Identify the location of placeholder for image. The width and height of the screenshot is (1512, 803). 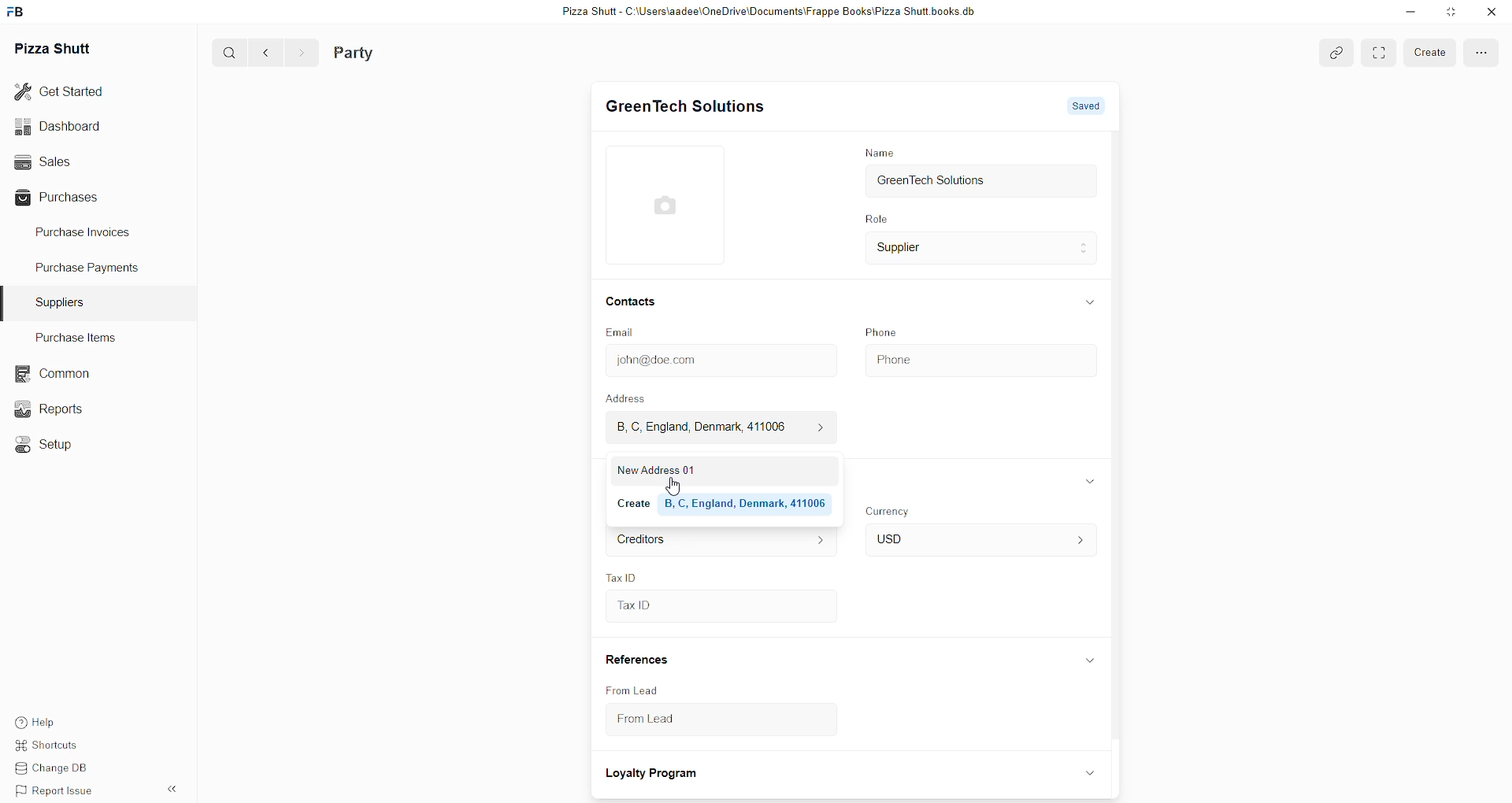
(670, 205).